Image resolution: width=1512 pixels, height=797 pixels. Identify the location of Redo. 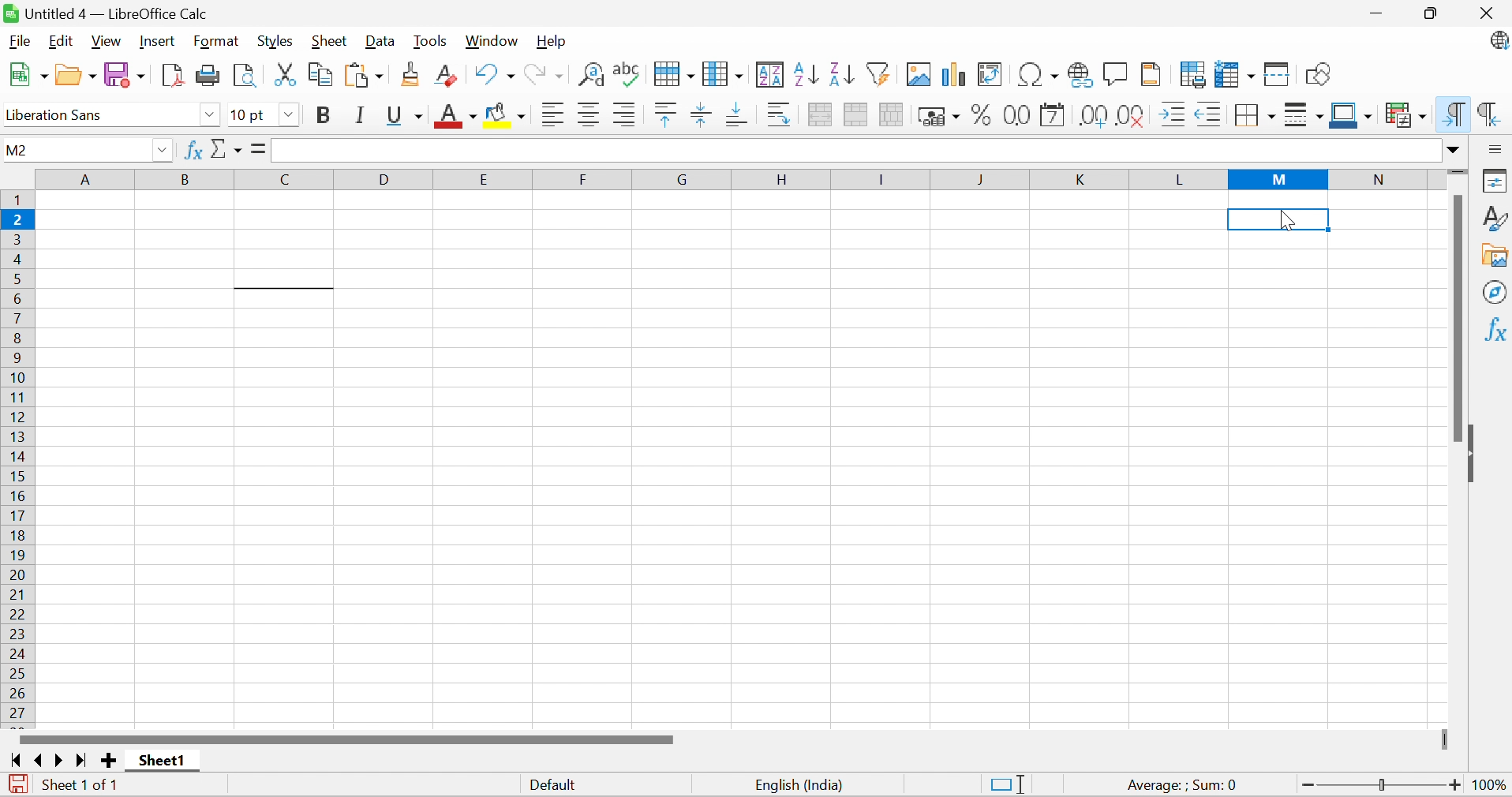
(543, 77).